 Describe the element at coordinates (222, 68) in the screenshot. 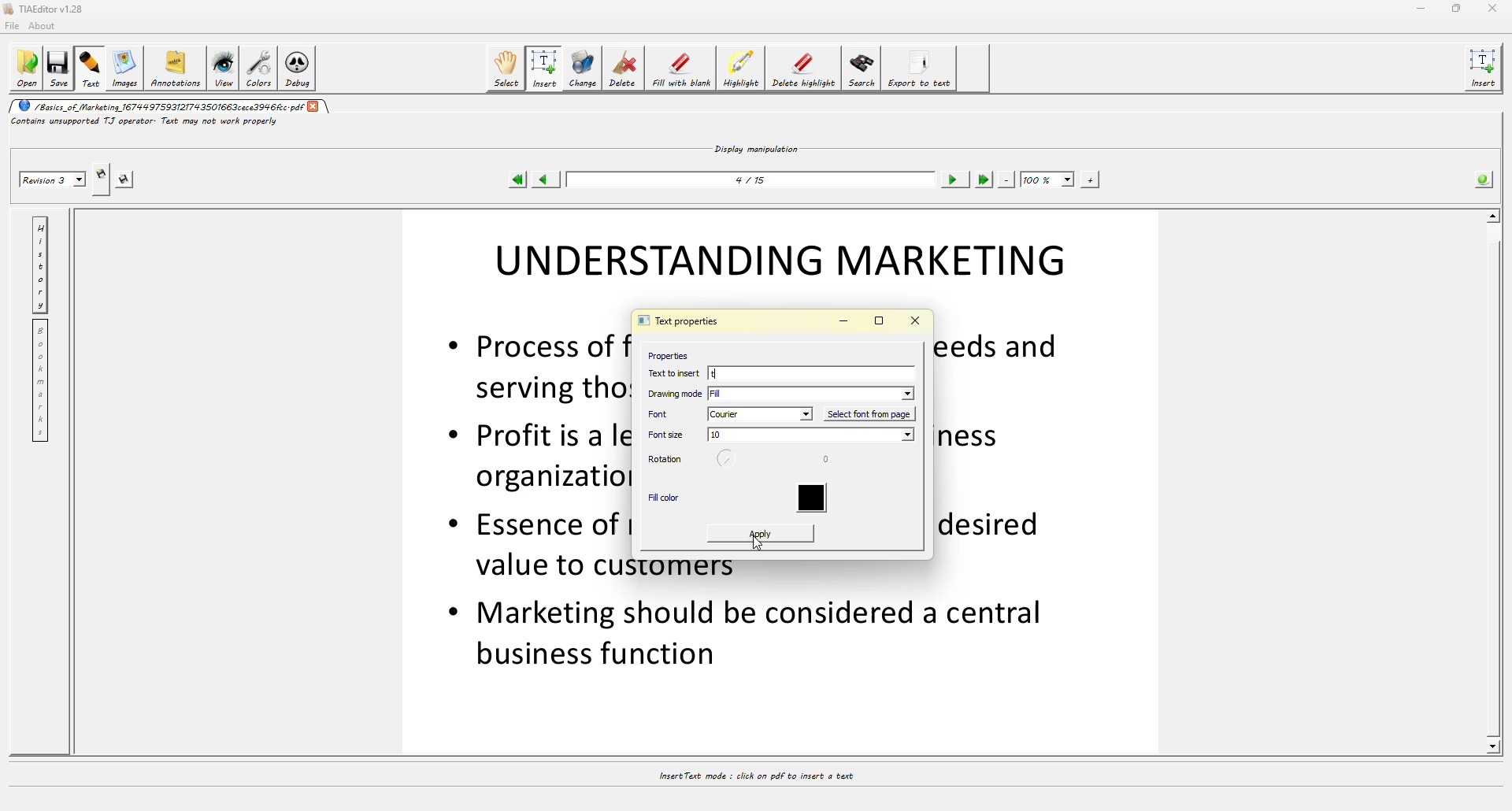

I see `view` at that location.